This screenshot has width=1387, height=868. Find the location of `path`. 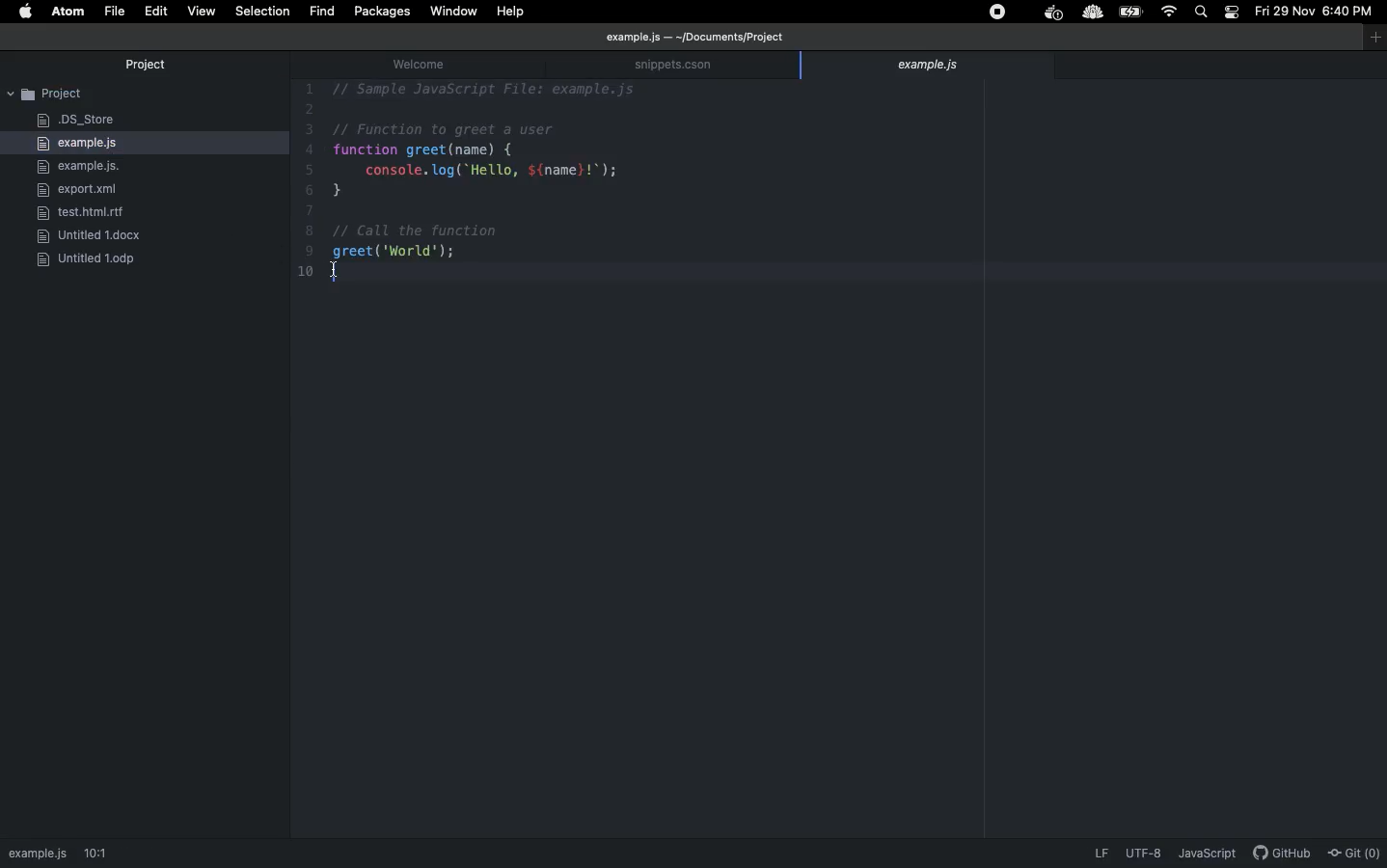

path is located at coordinates (38, 852).